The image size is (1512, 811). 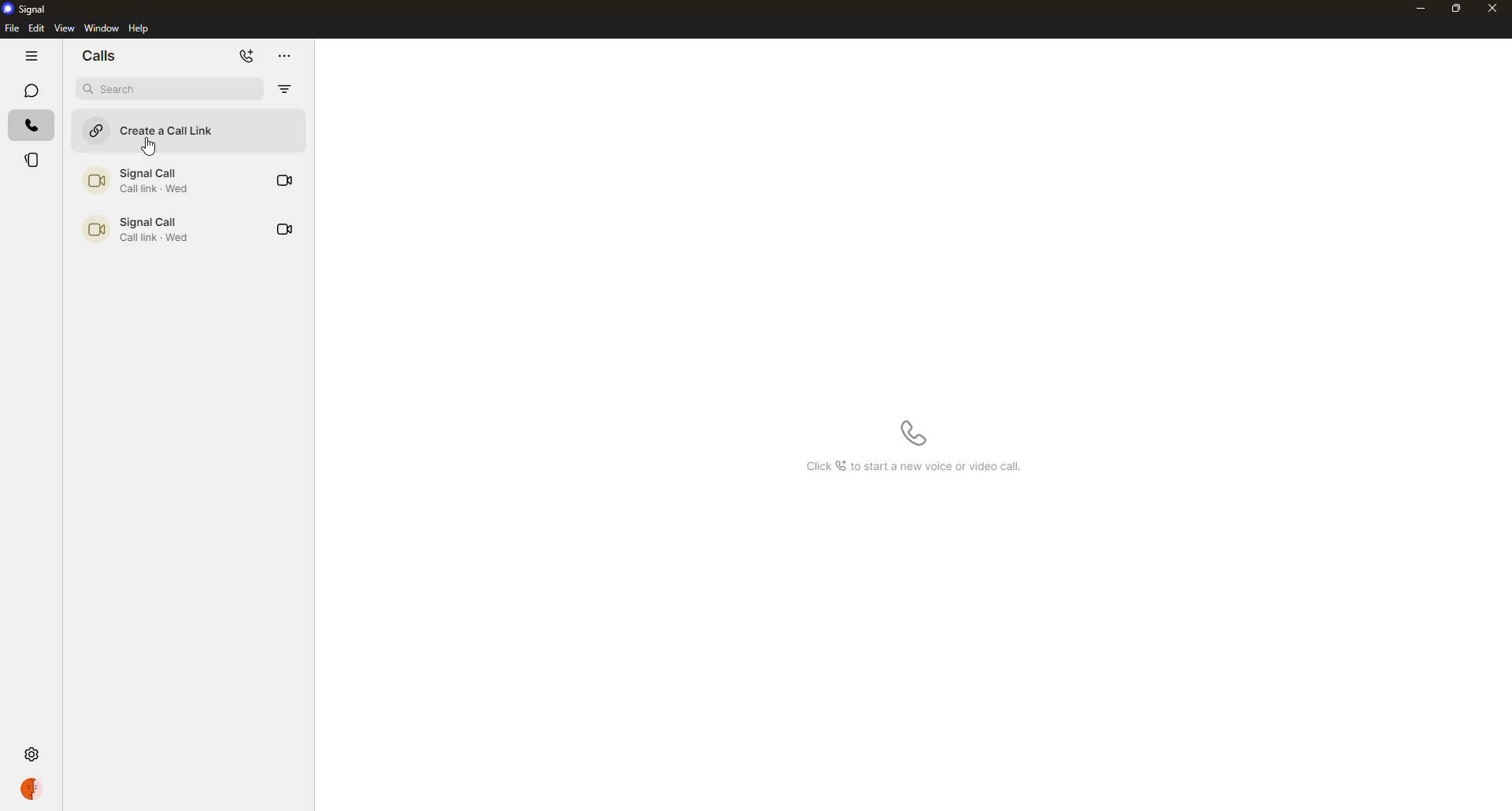 I want to click on Click to start a new voice call, so click(x=913, y=465).